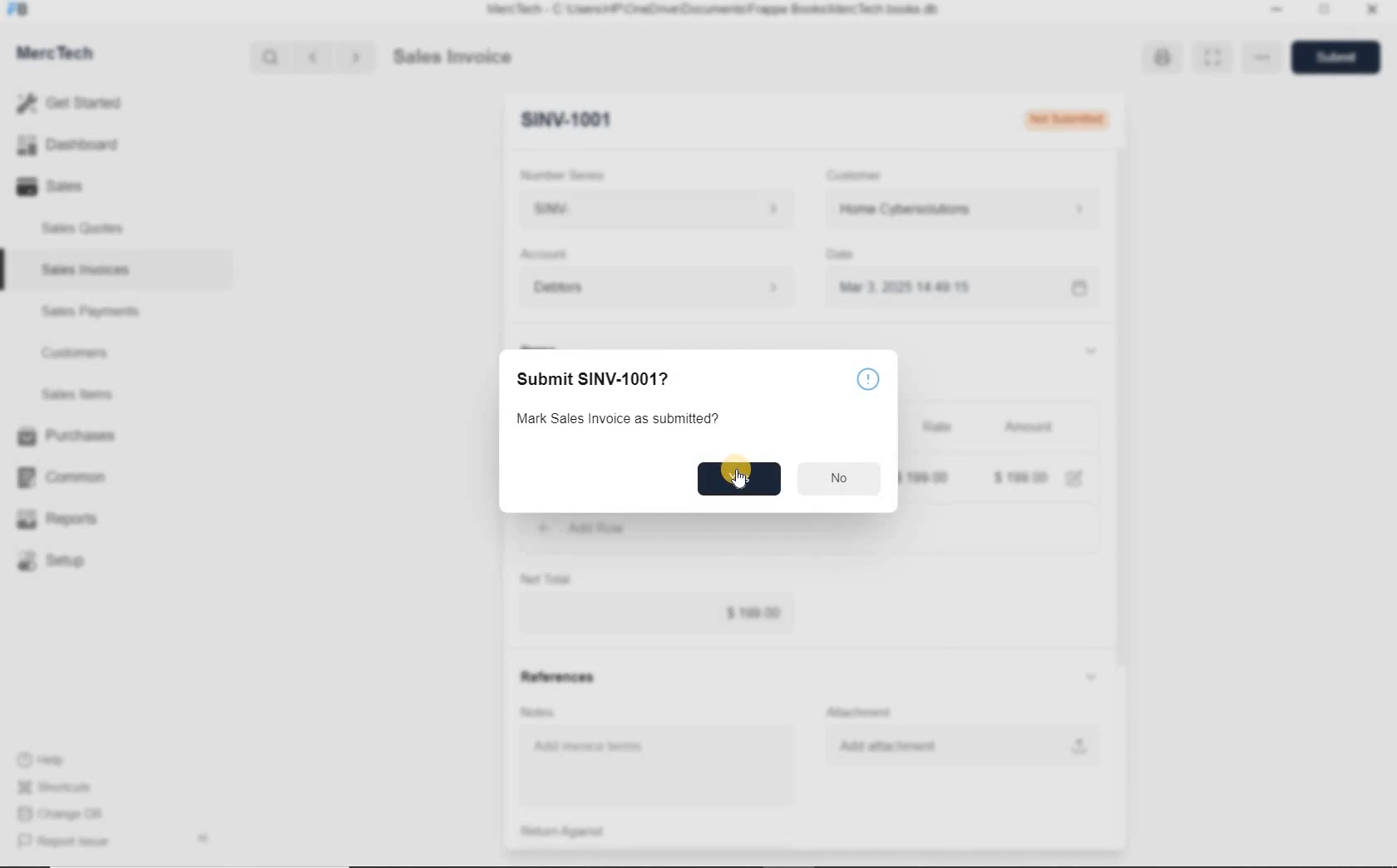 This screenshot has width=1397, height=868. Describe the element at coordinates (90, 353) in the screenshot. I see `Customers` at that location.